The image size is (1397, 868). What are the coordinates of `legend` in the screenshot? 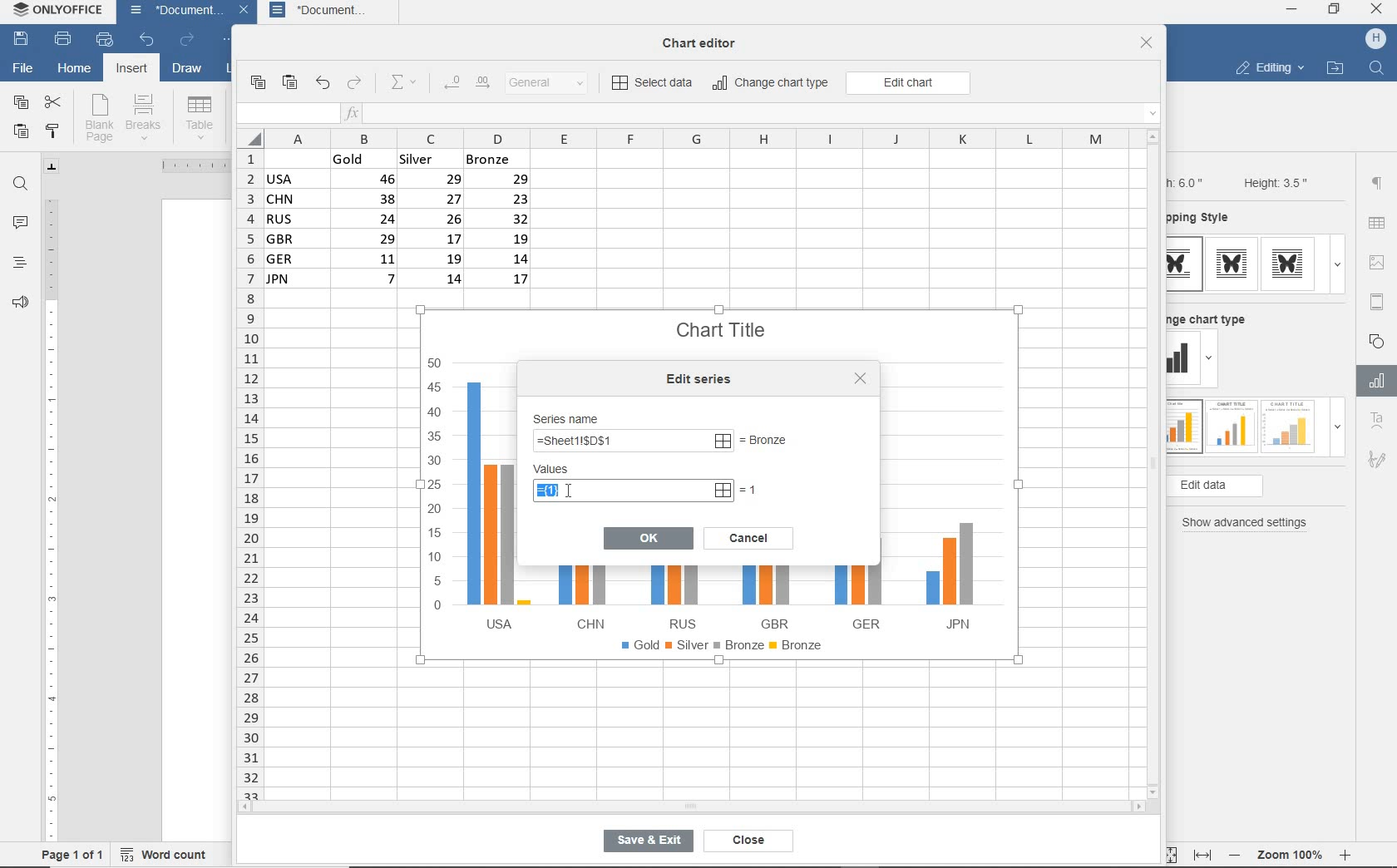 It's located at (726, 649).